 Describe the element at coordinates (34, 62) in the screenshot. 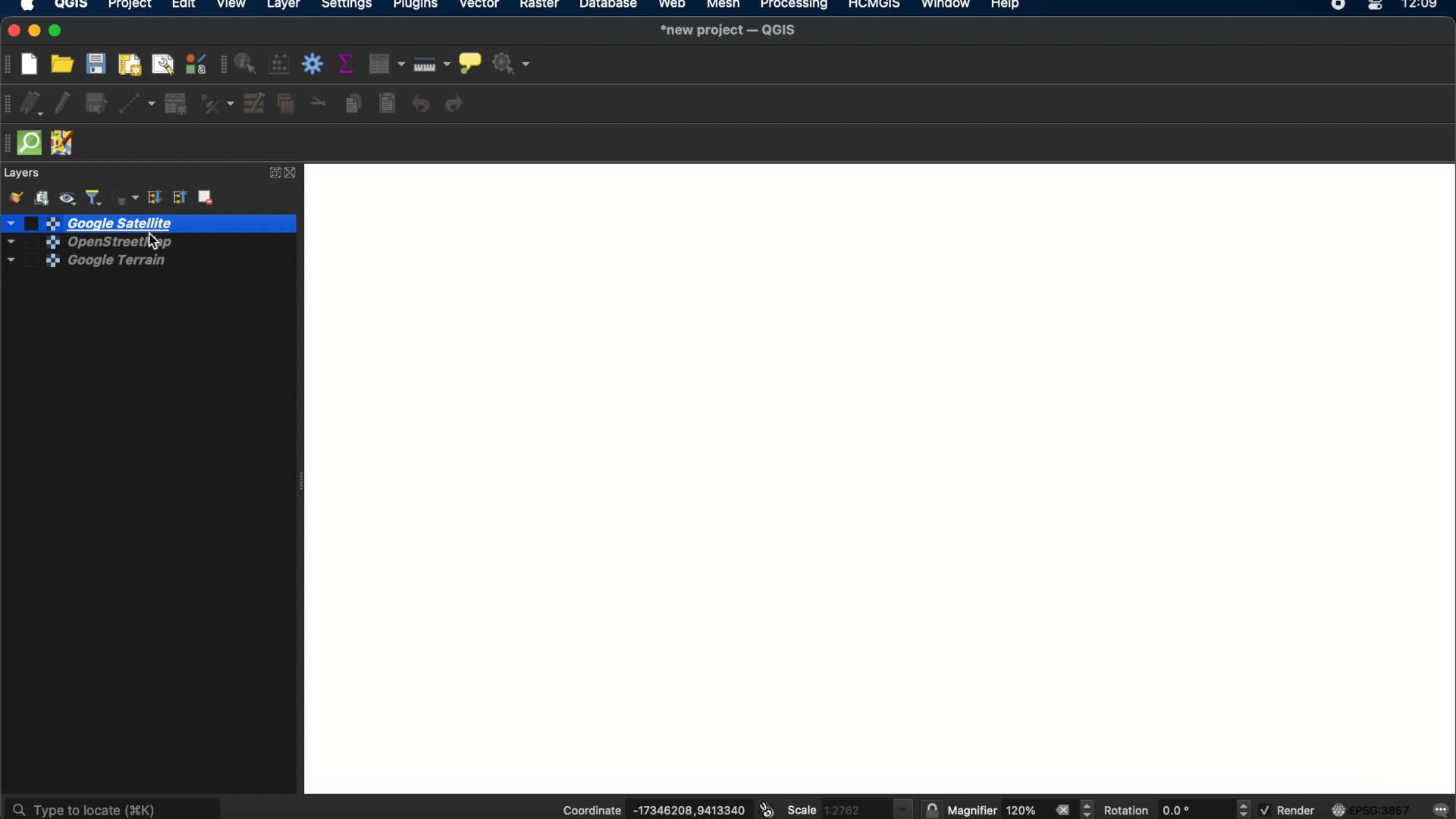

I see `new project` at that location.